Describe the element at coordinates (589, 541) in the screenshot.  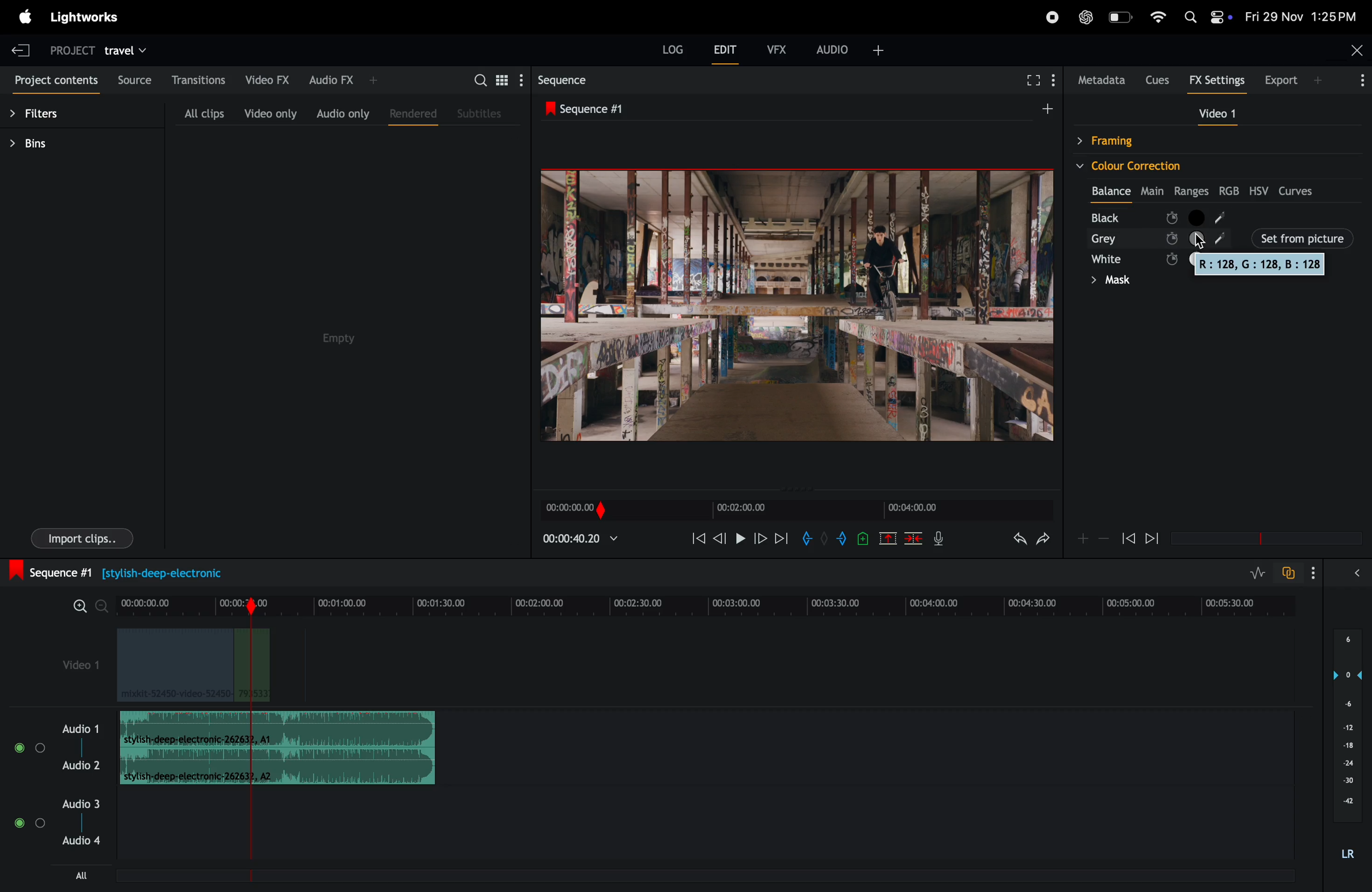
I see `playback time` at that location.